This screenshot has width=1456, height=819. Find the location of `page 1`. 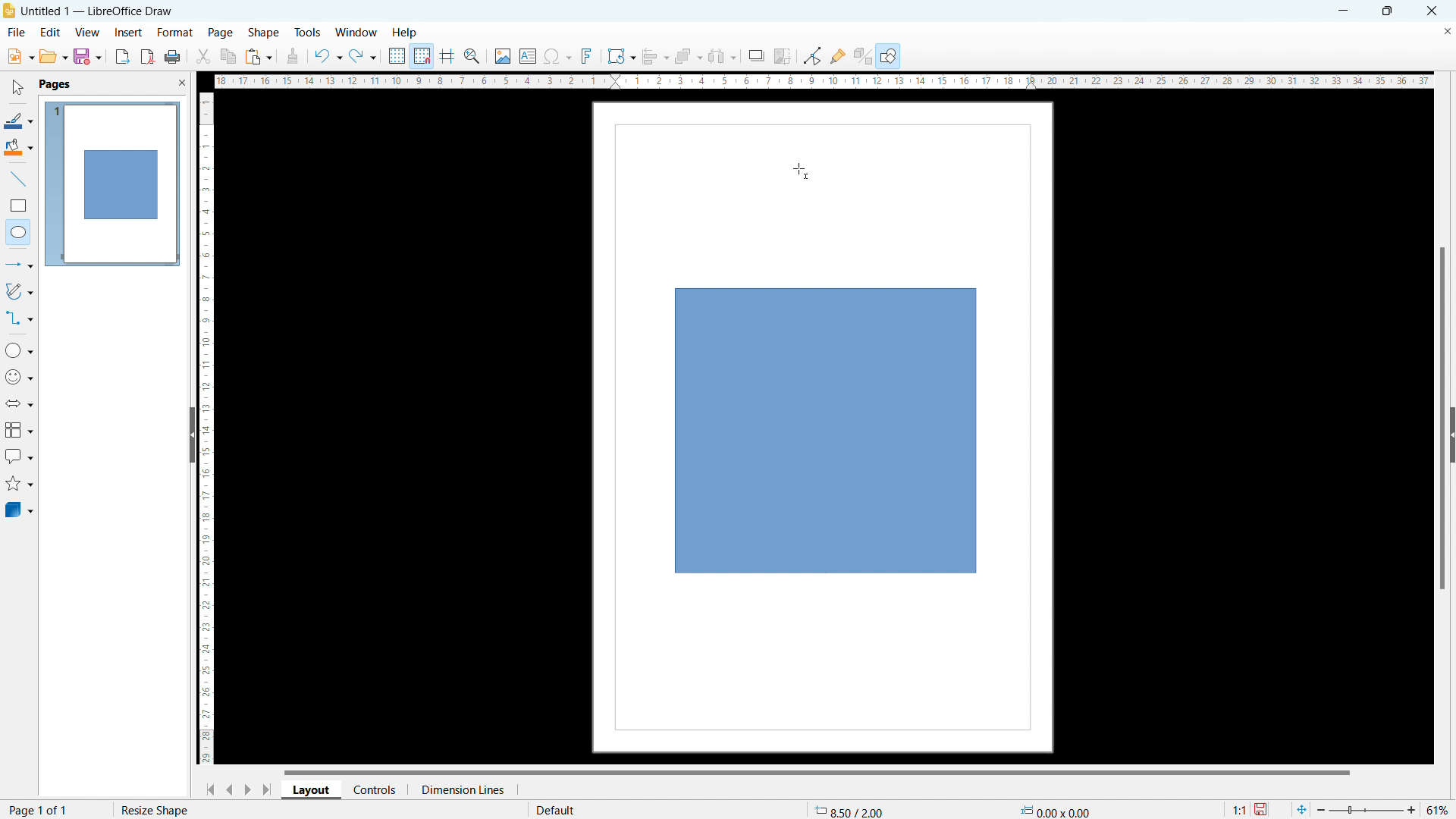

page 1 is located at coordinates (111, 183).